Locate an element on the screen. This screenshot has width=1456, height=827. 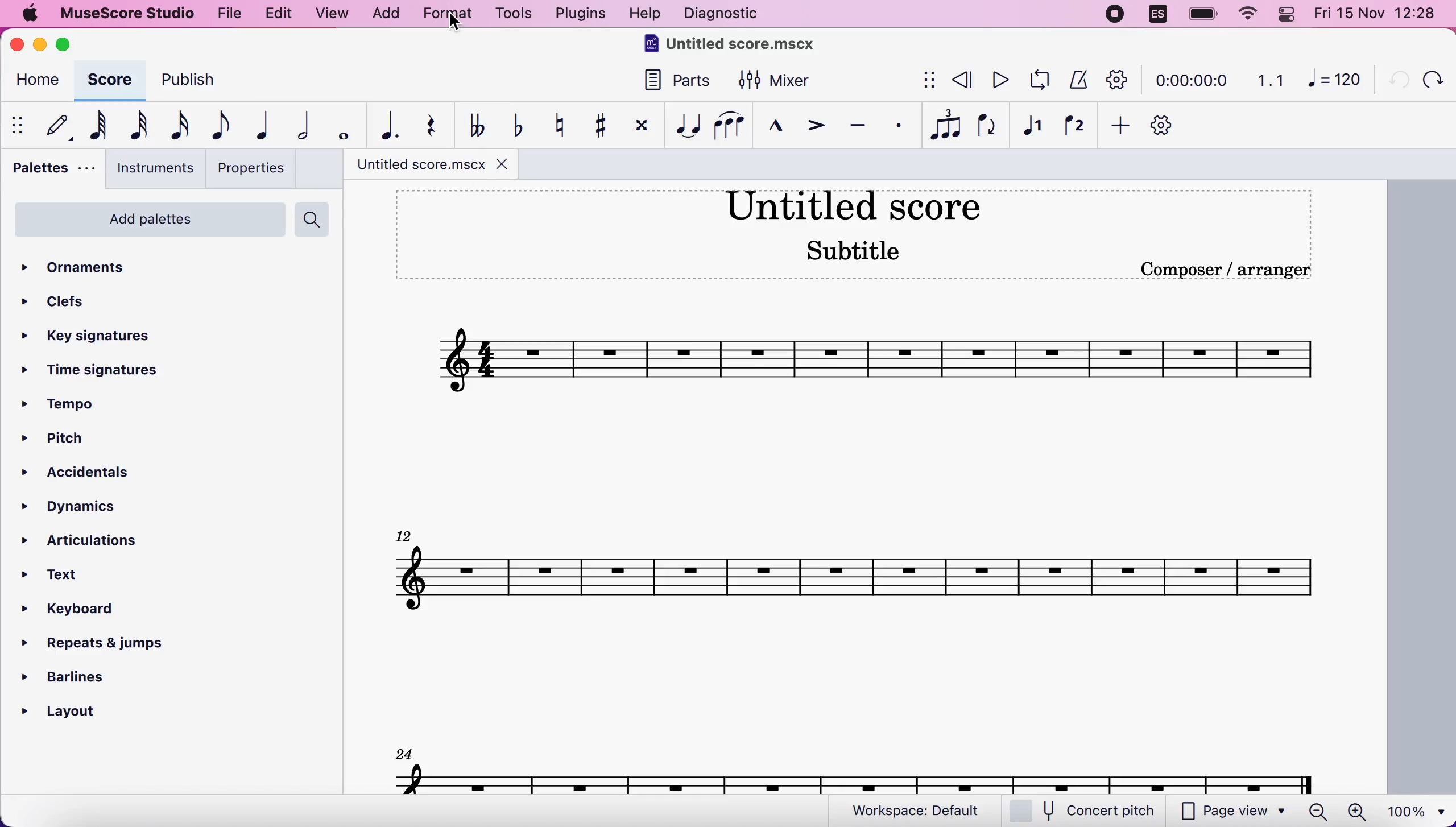
title is located at coordinates (734, 46).